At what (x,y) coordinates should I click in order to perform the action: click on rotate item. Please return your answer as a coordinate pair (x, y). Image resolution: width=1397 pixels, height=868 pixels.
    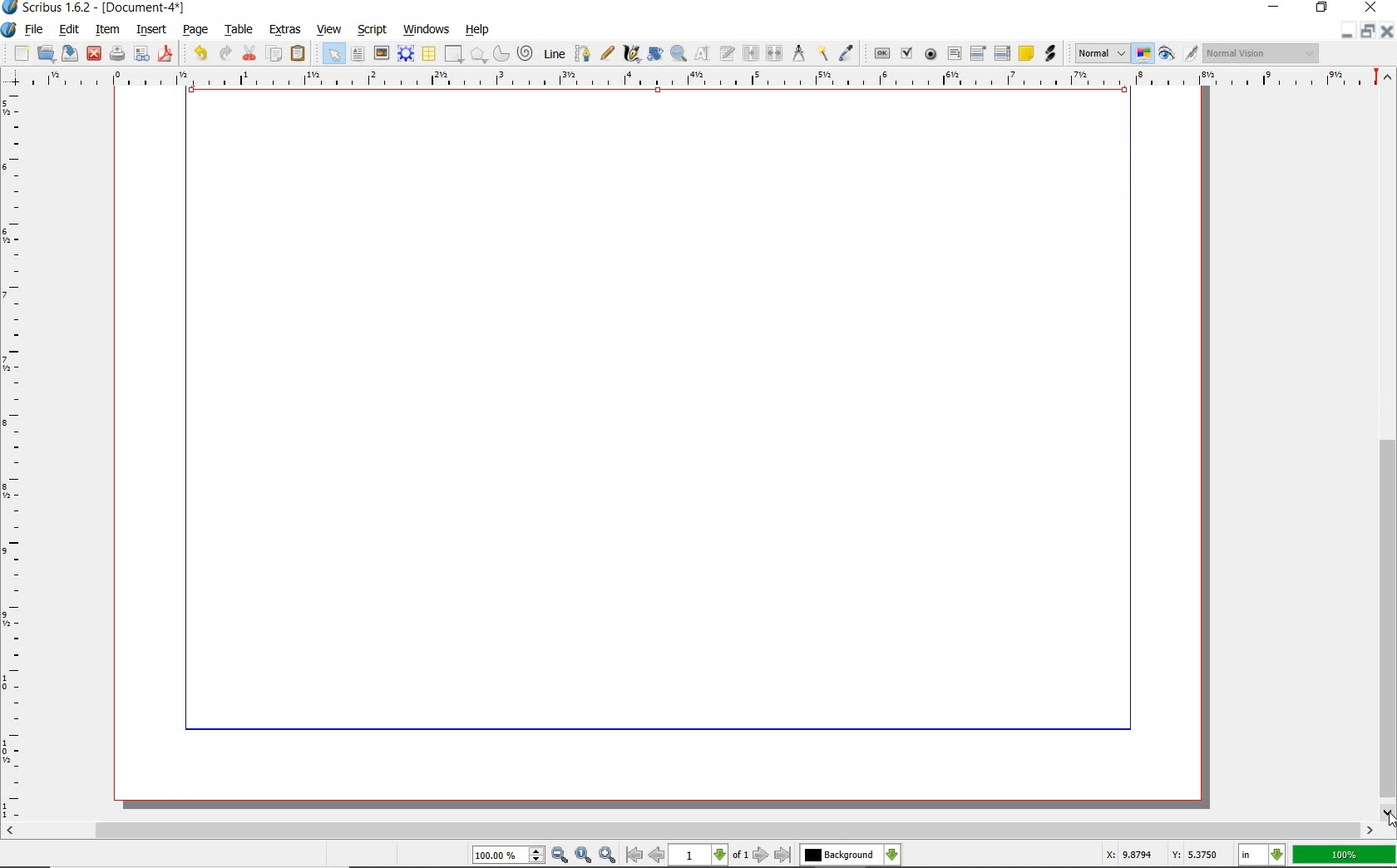
    Looking at the image, I should click on (654, 55).